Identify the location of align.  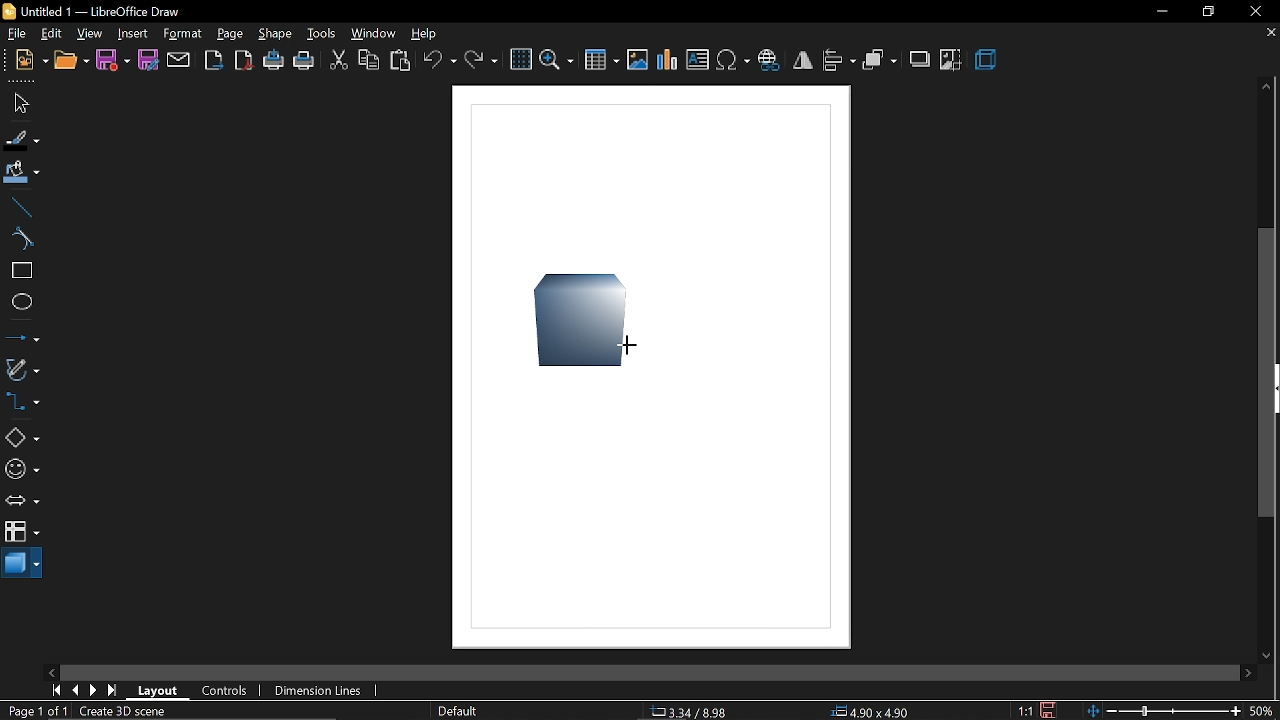
(839, 62).